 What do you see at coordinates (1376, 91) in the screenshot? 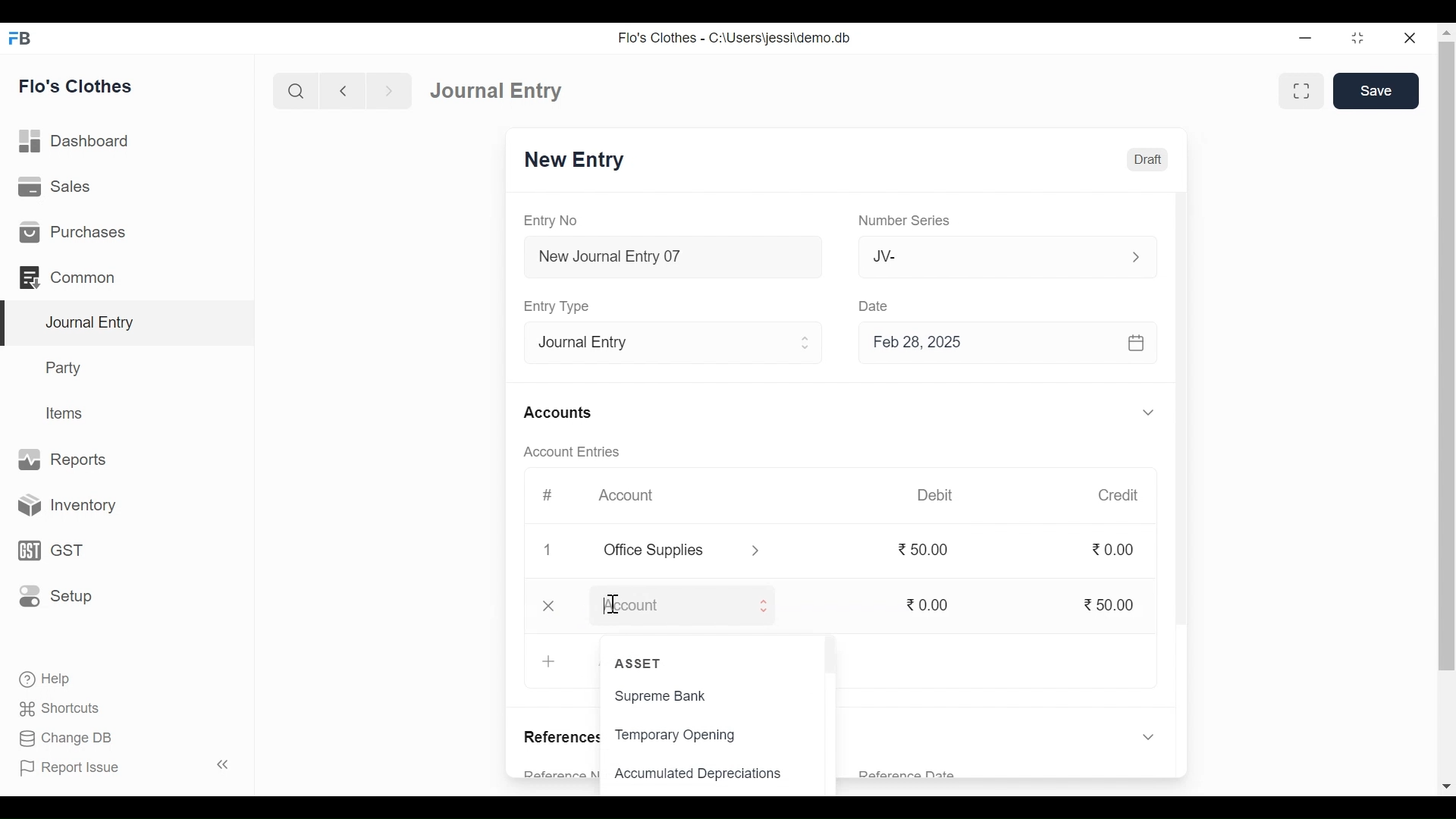
I see `Save` at bounding box center [1376, 91].